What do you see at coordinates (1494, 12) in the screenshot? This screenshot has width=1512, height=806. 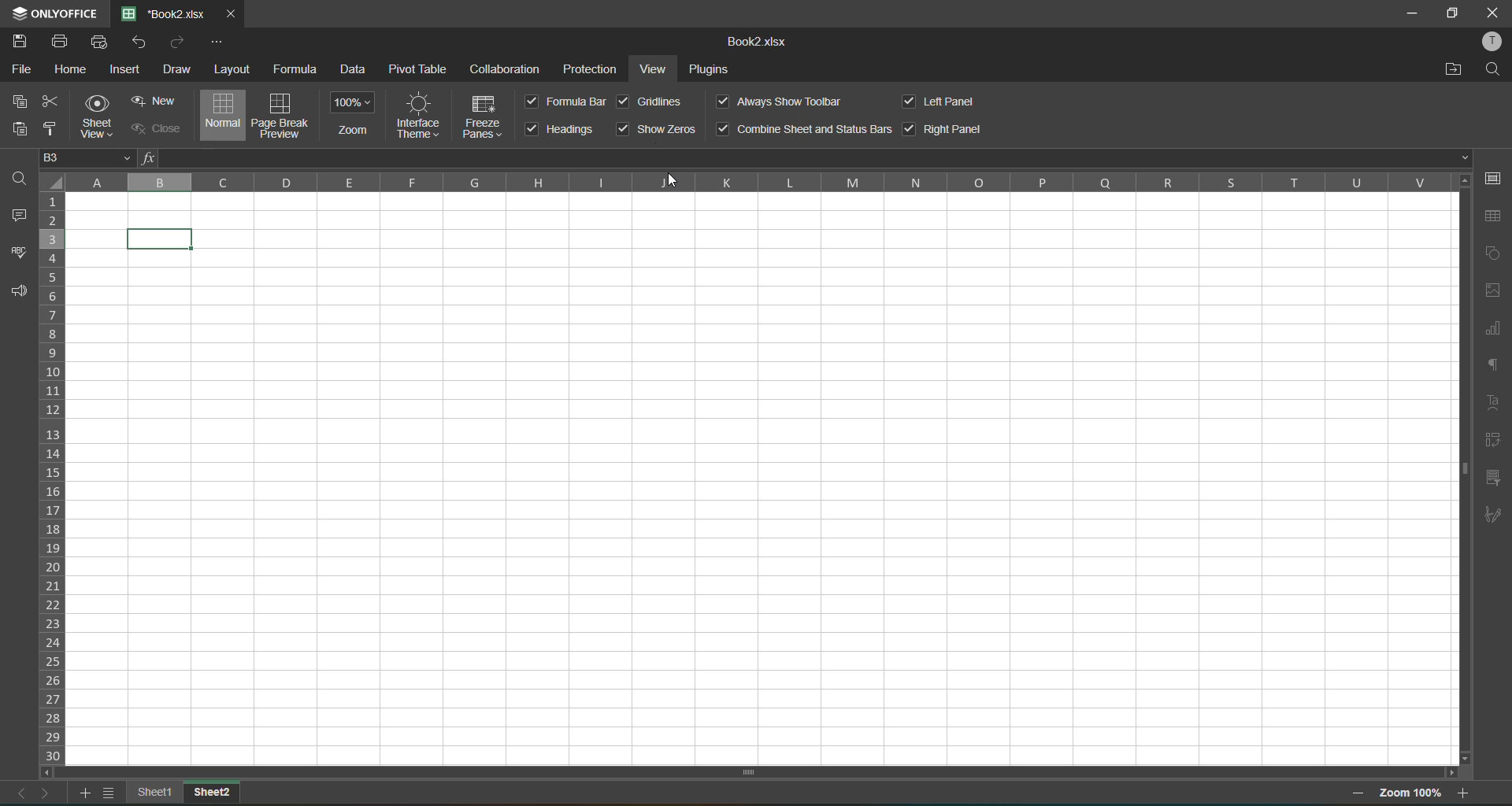 I see `close` at bounding box center [1494, 12].